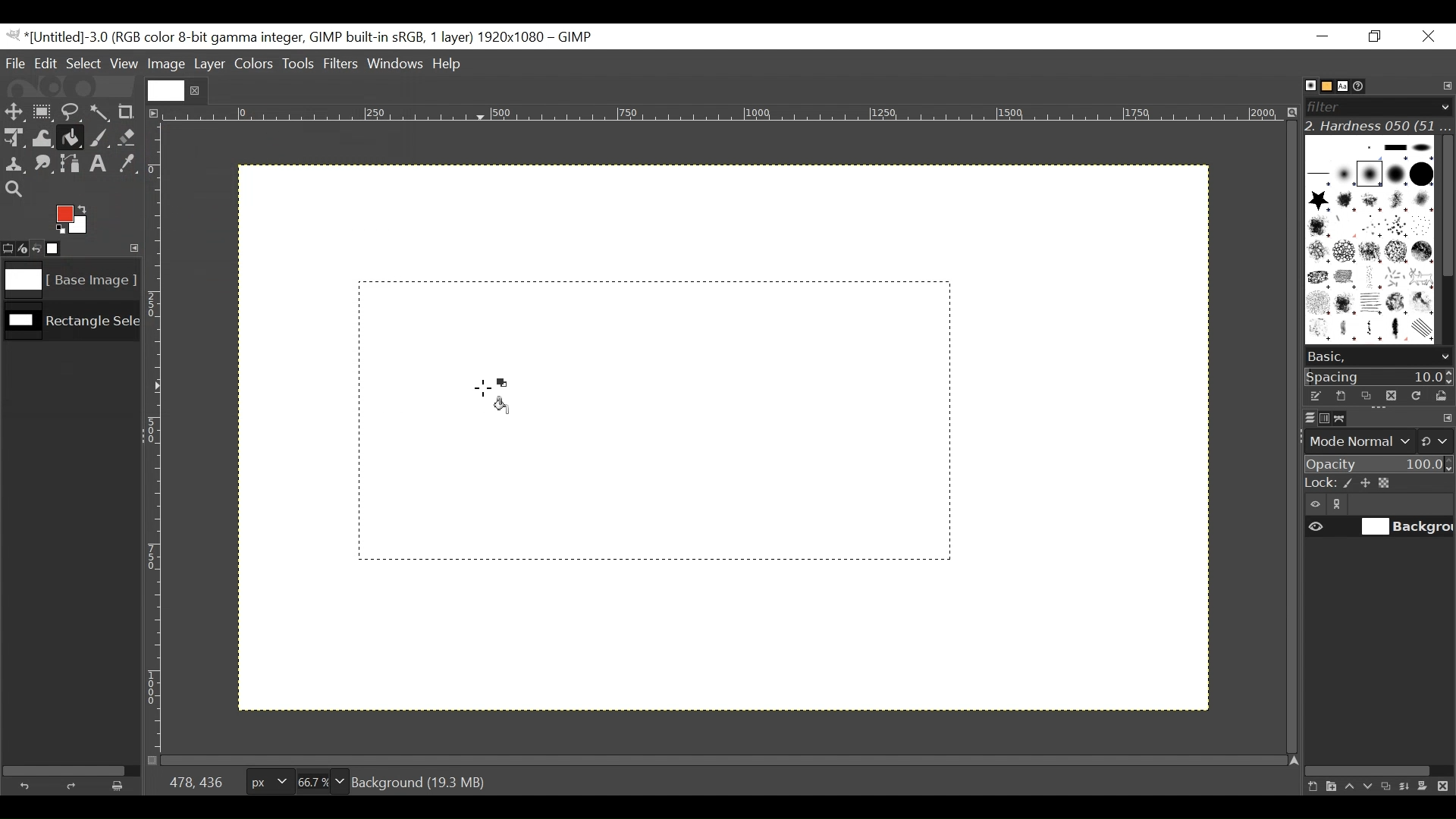 This screenshot has height=819, width=1456. What do you see at coordinates (14, 165) in the screenshot?
I see `Clone tool` at bounding box center [14, 165].